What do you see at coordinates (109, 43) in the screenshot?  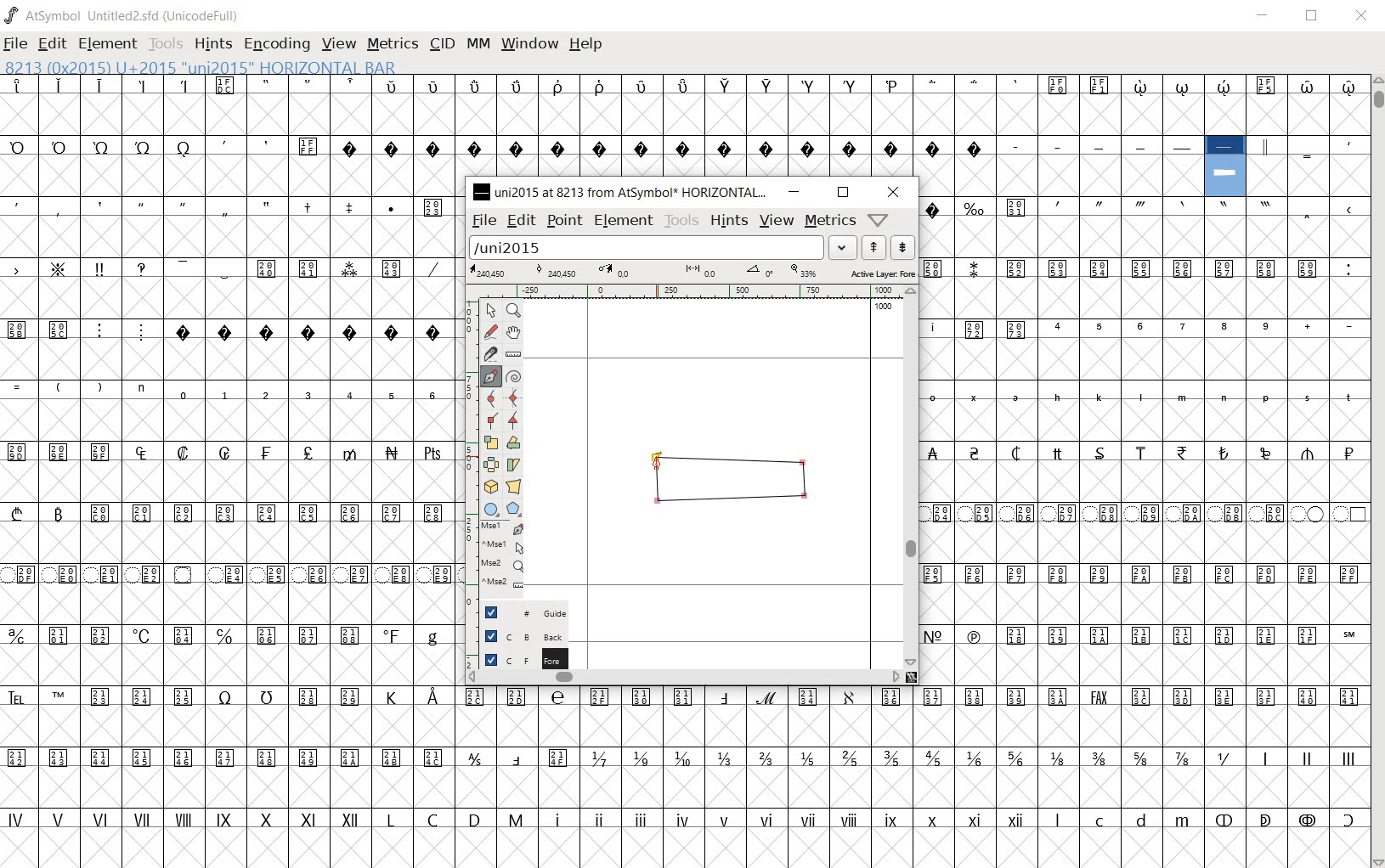 I see `ELEMENT` at bounding box center [109, 43].